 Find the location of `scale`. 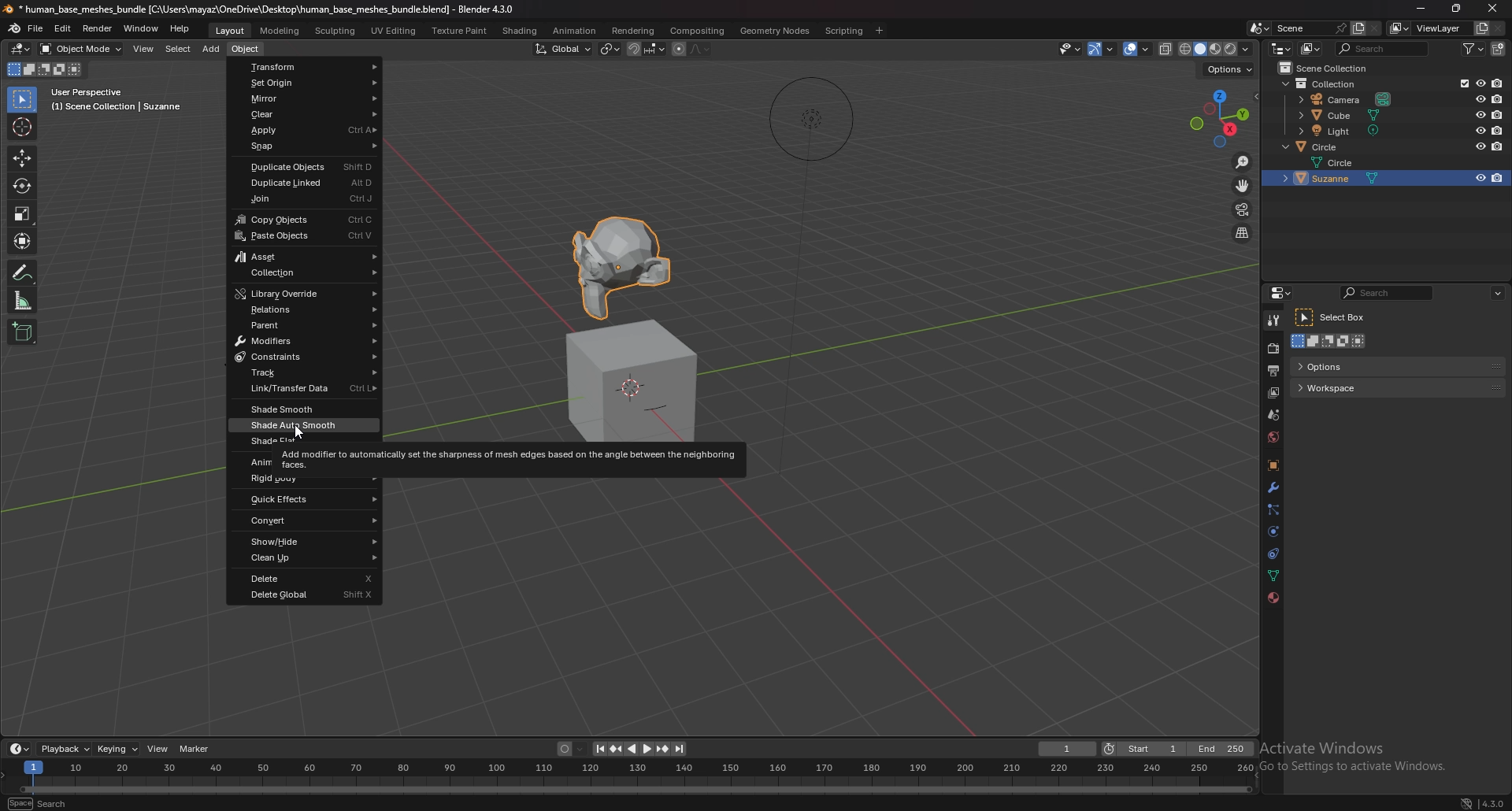

scale is located at coordinates (24, 300).